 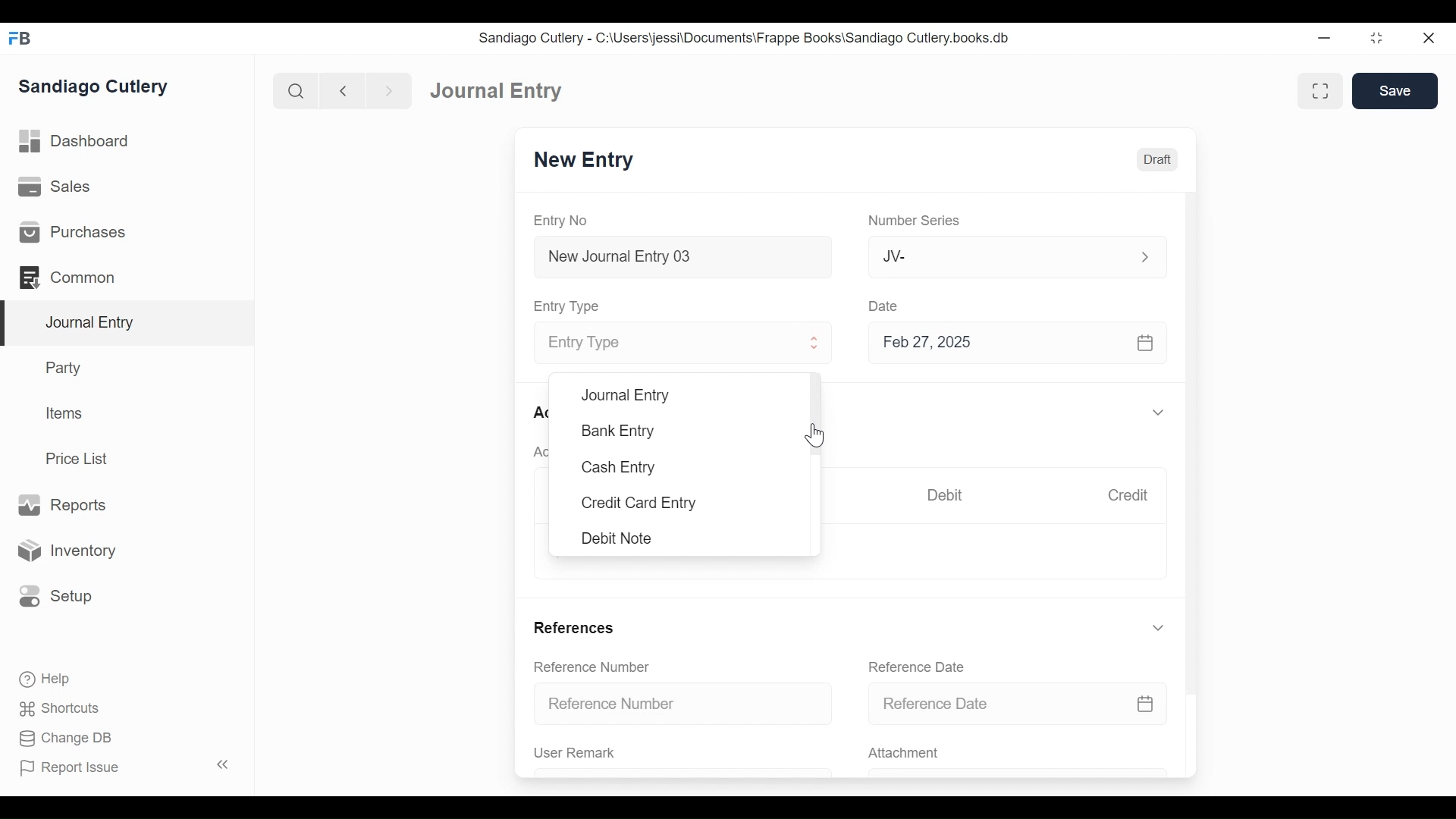 What do you see at coordinates (498, 91) in the screenshot?
I see `Journal Entry` at bounding box center [498, 91].